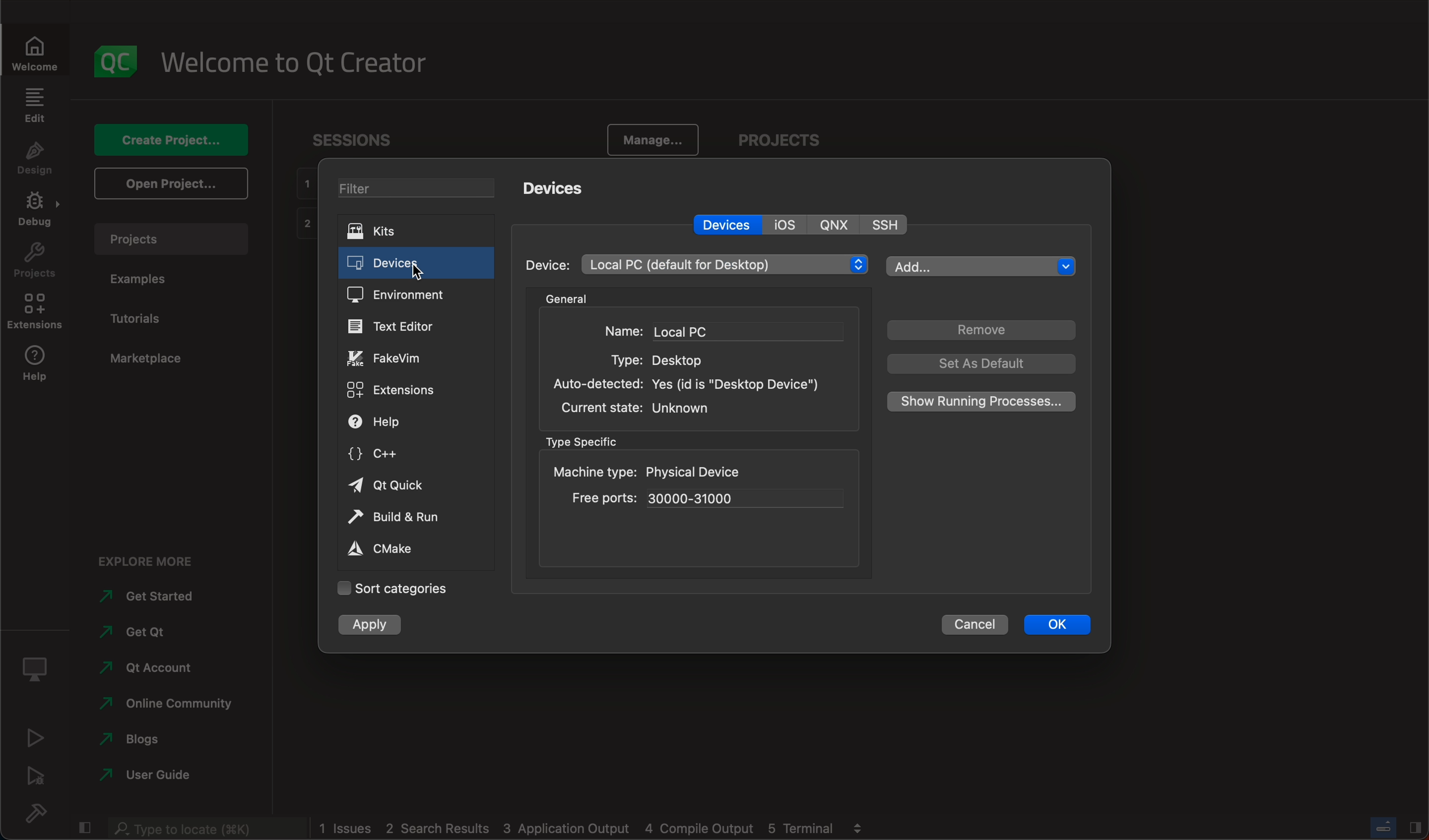 This screenshot has height=840, width=1429. Describe the element at coordinates (33, 264) in the screenshot. I see `projects` at that location.